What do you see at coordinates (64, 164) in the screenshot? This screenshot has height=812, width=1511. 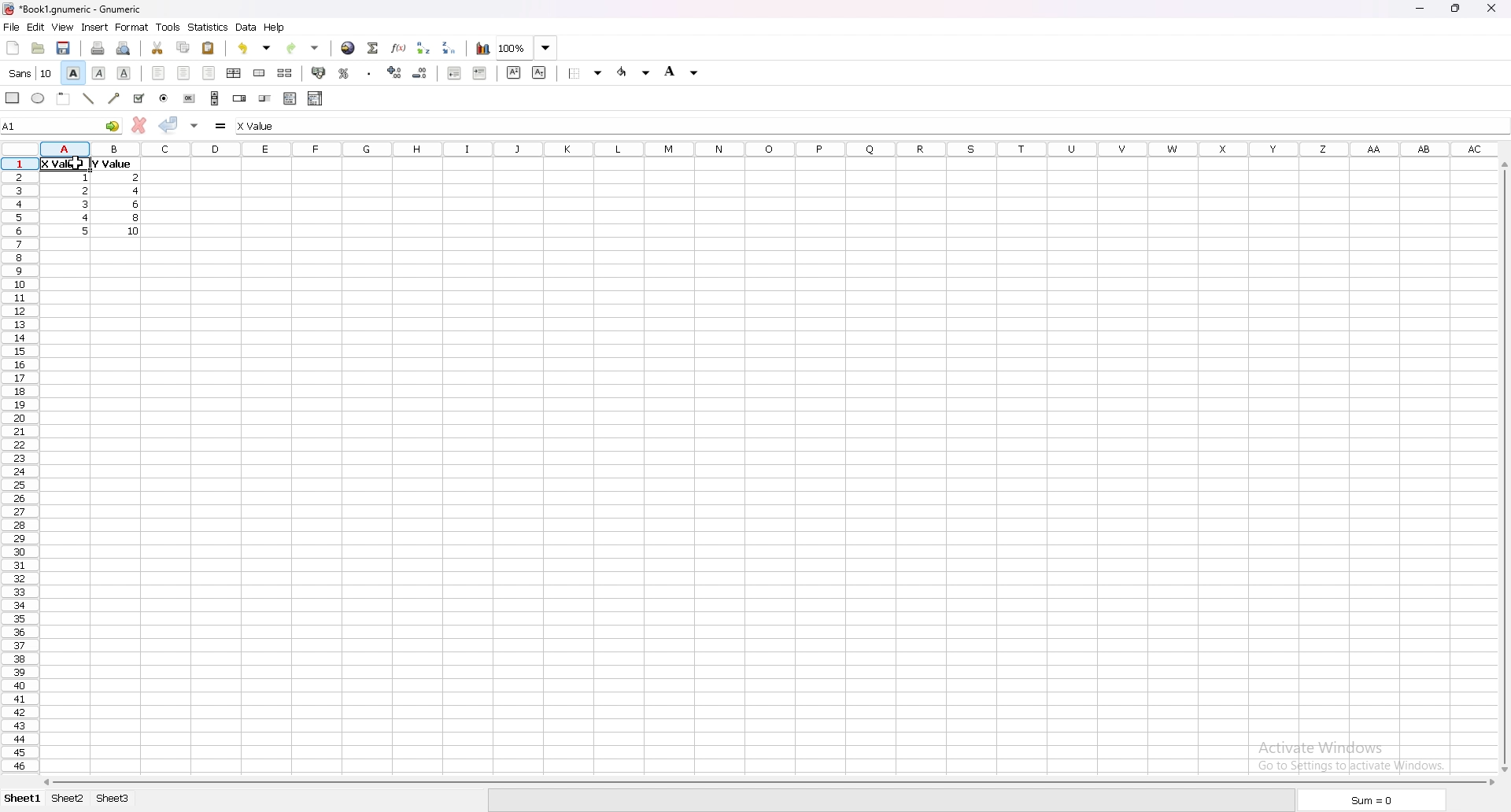 I see `selected cell` at bounding box center [64, 164].